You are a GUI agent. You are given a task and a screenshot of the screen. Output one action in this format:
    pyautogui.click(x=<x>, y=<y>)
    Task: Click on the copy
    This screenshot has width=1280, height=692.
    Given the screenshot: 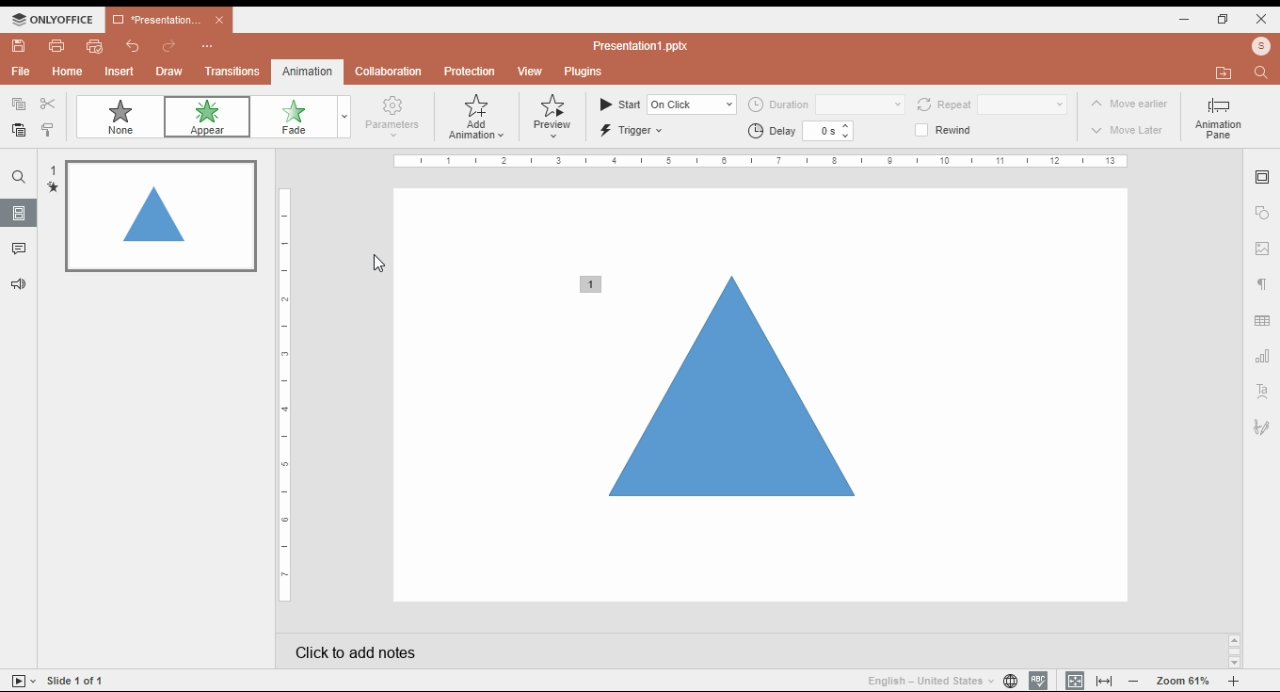 What is the action you would take?
    pyautogui.click(x=19, y=104)
    